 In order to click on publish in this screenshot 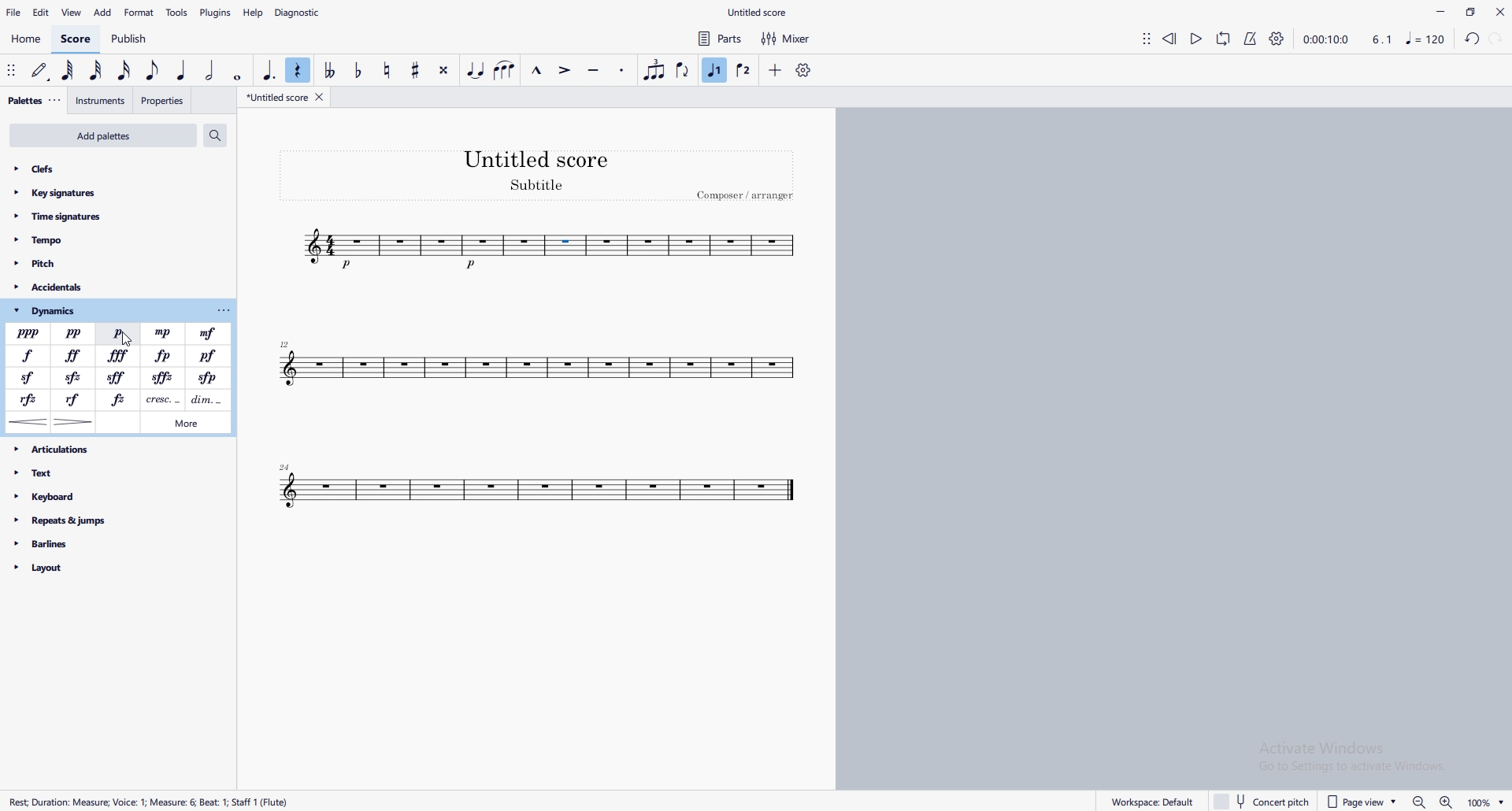, I will do `click(128, 39)`.